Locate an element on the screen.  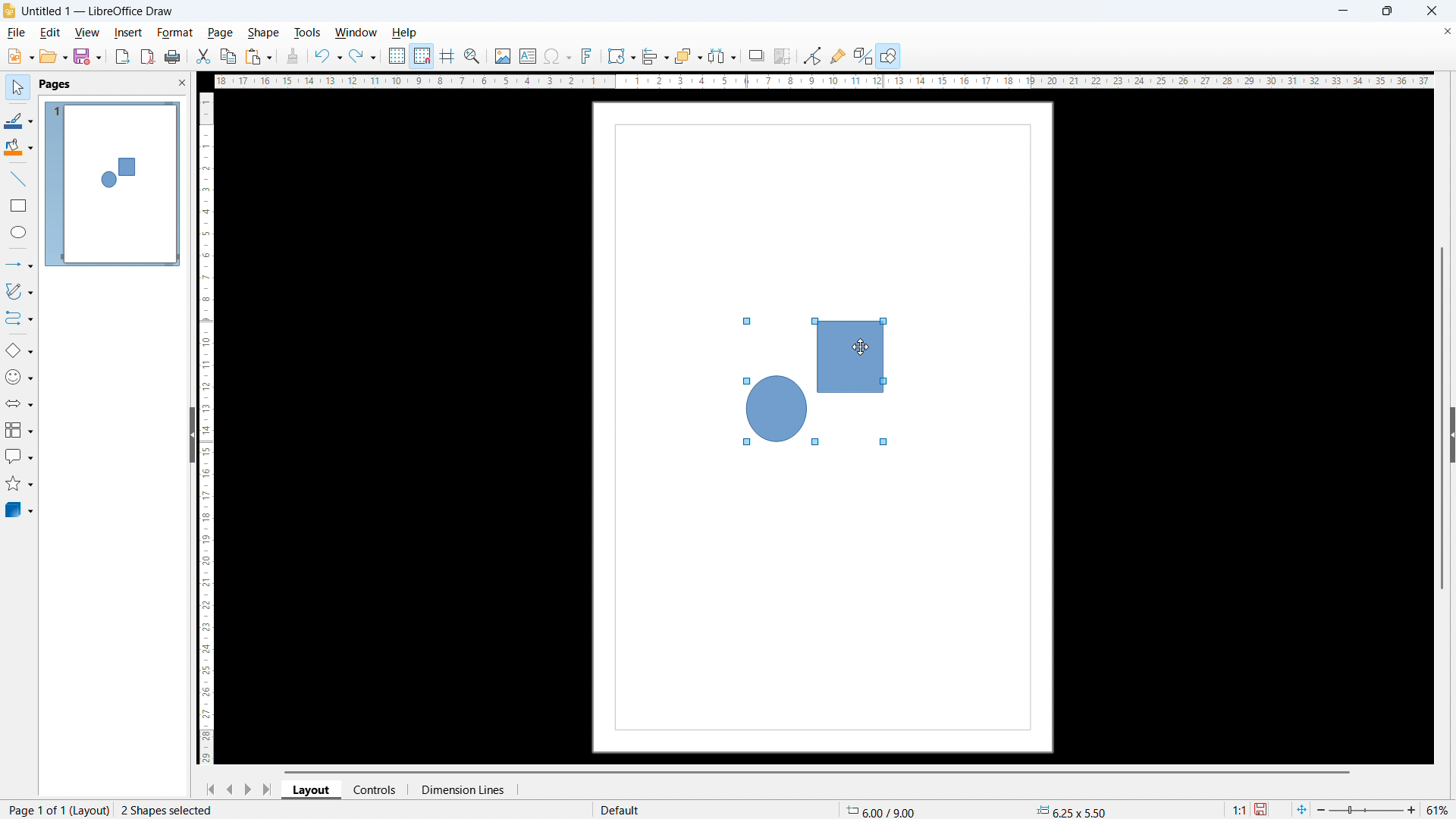
basic shapes is located at coordinates (20, 350).